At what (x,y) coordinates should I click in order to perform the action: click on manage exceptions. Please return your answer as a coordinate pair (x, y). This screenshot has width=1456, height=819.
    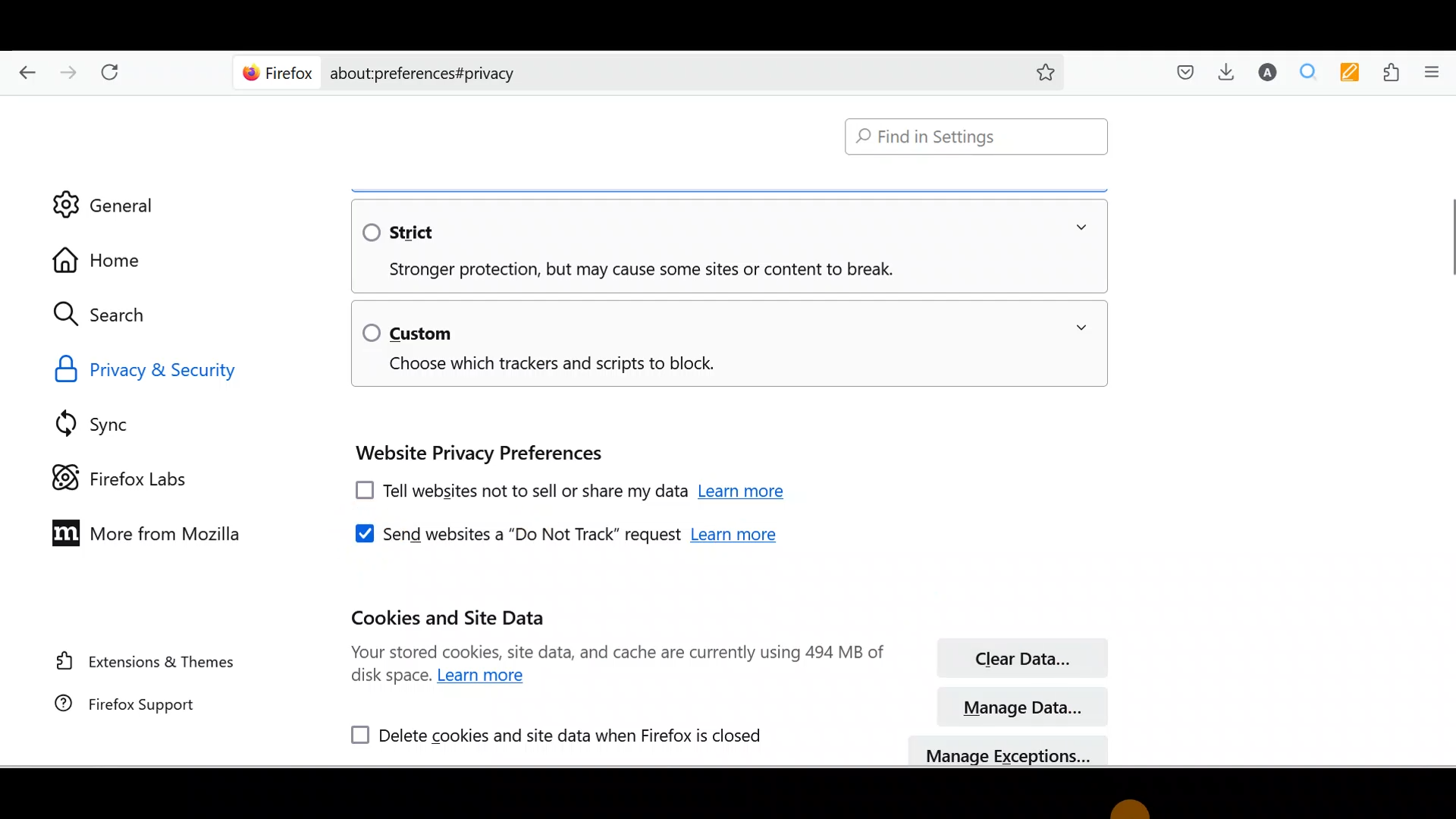
    Looking at the image, I should click on (1010, 751).